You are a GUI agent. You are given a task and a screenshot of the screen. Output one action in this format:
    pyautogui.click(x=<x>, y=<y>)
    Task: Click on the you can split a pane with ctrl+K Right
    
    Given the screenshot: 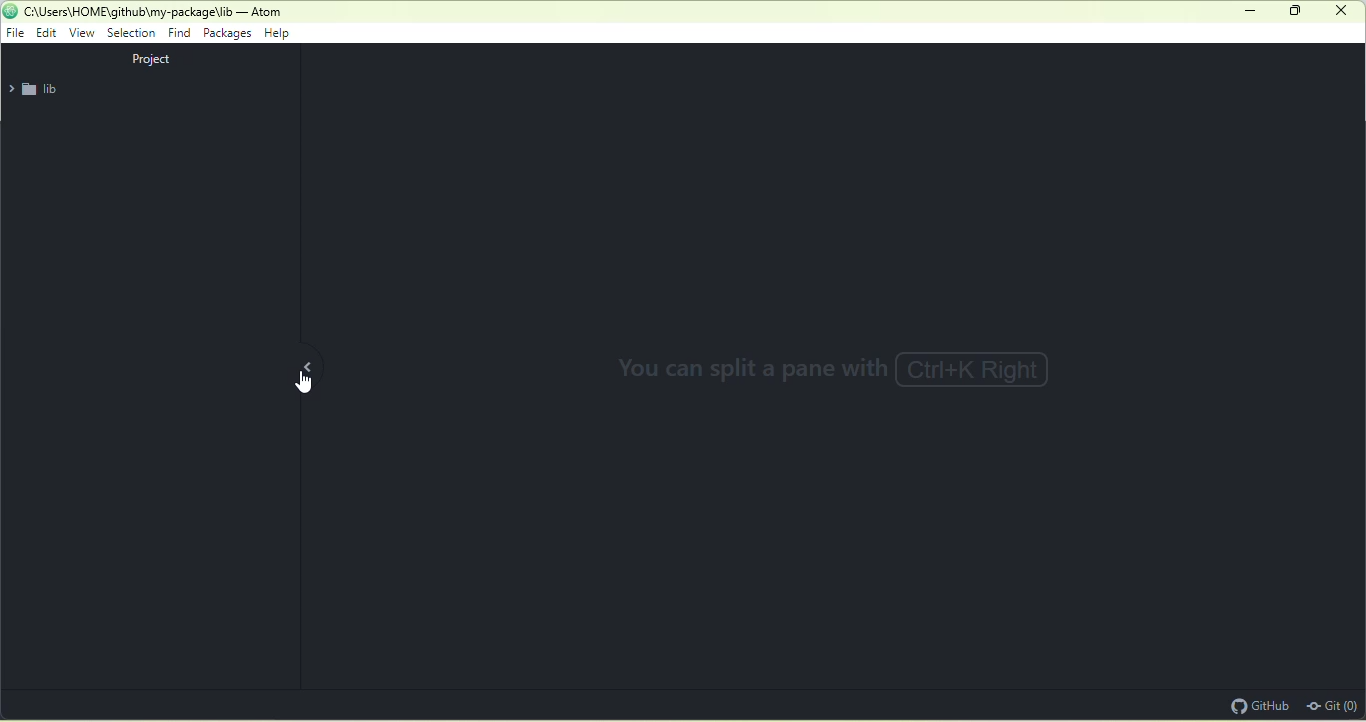 What is the action you would take?
    pyautogui.click(x=855, y=373)
    